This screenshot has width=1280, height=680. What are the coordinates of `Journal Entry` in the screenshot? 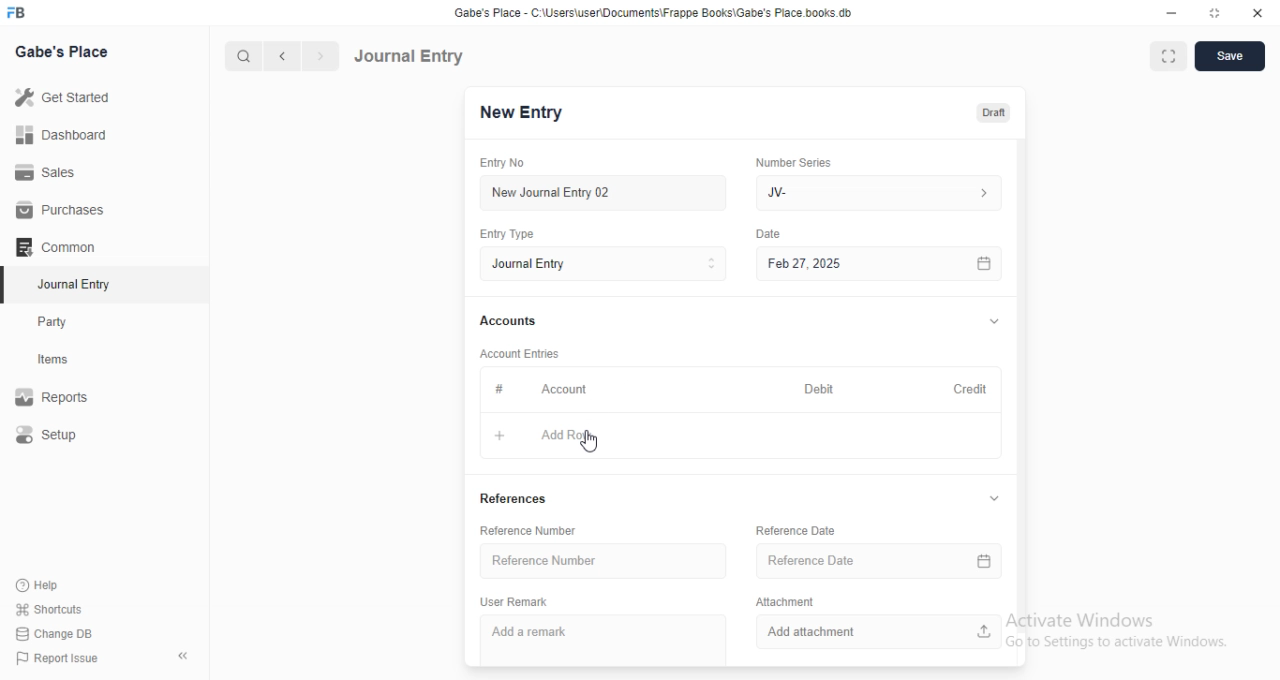 It's located at (412, 55).